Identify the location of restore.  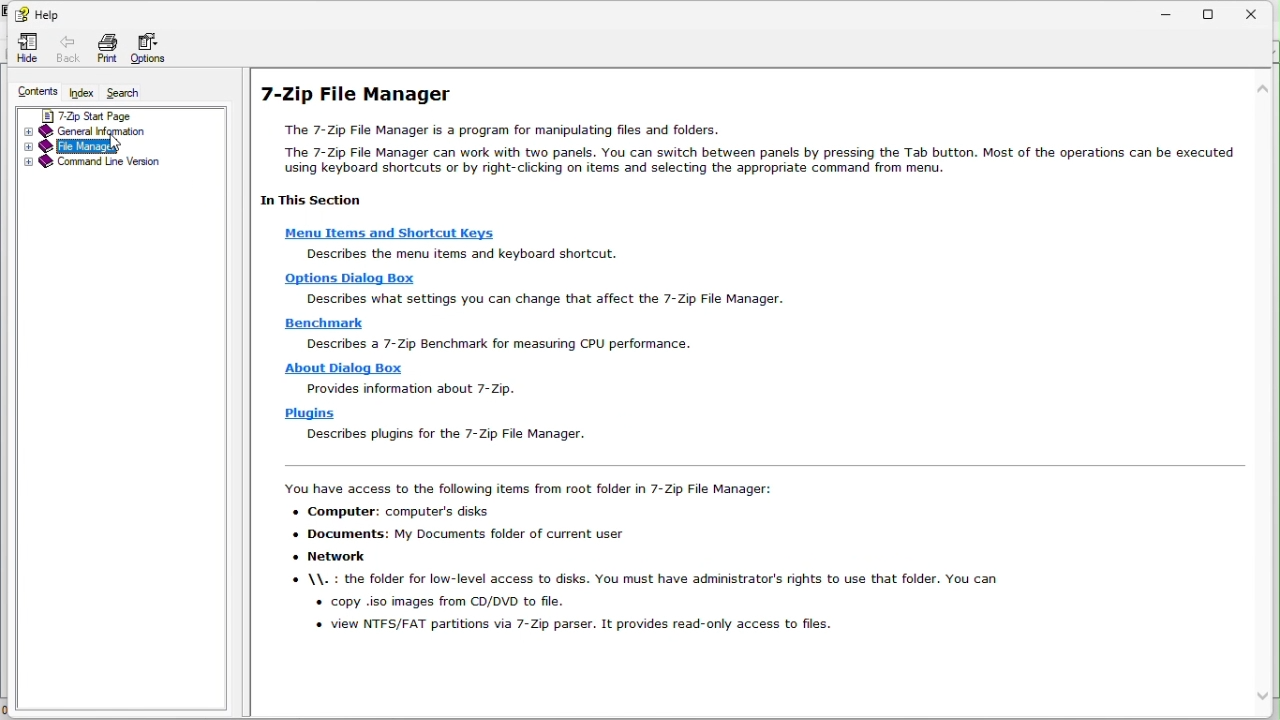
(1213, 11).